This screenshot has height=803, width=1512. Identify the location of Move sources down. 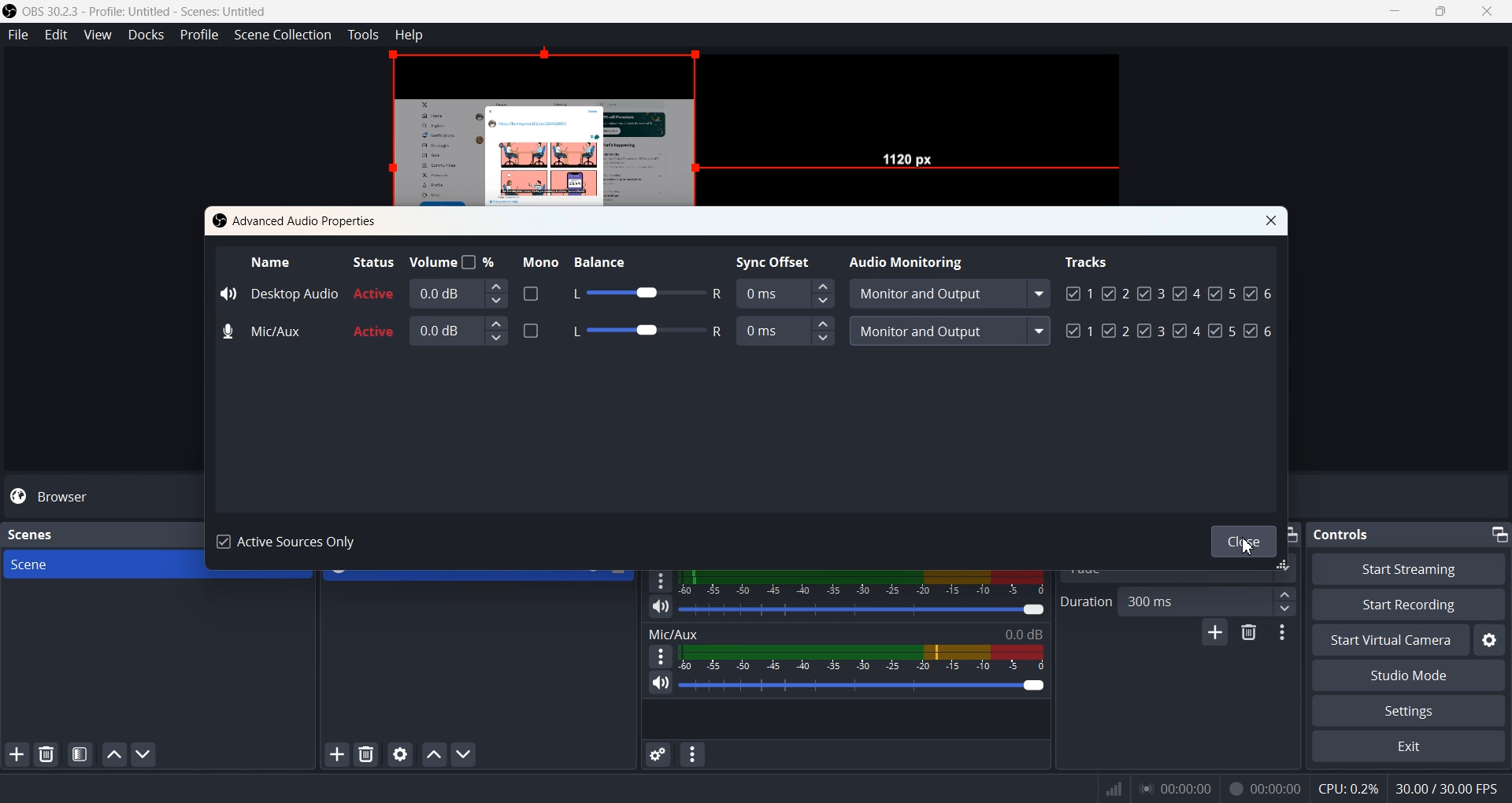
(465, 755).